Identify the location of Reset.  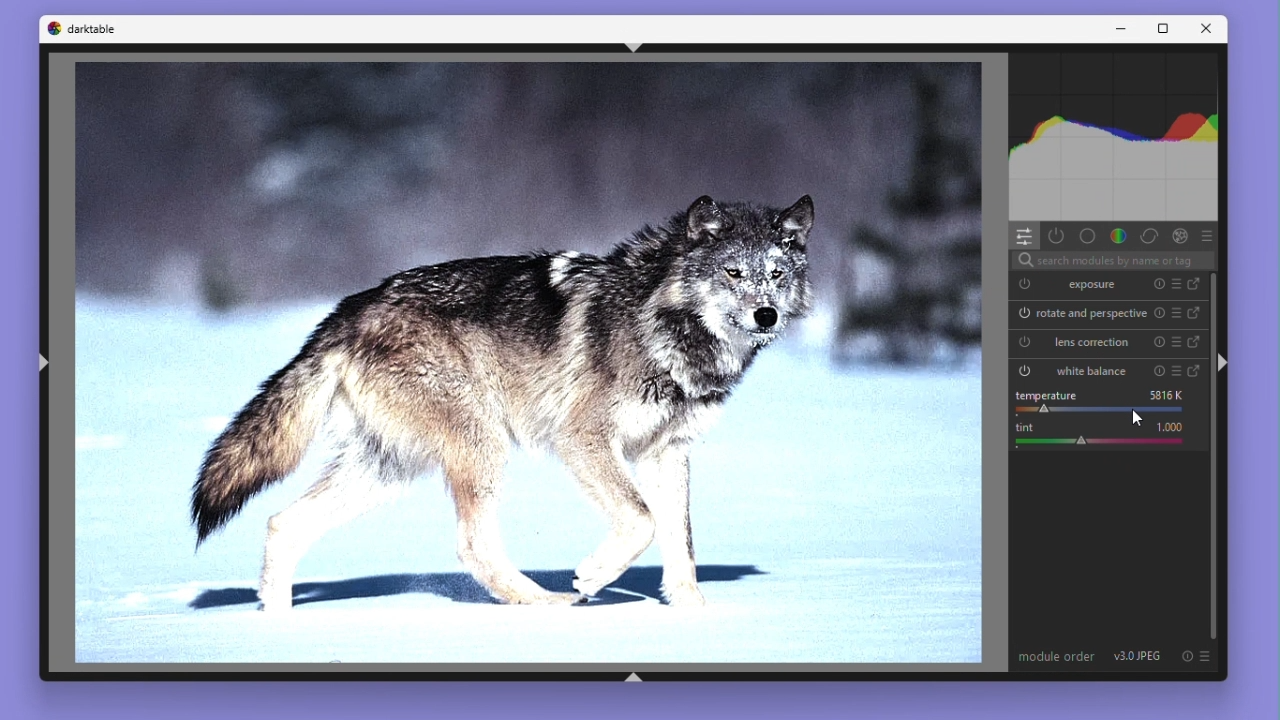
(1162, 315).